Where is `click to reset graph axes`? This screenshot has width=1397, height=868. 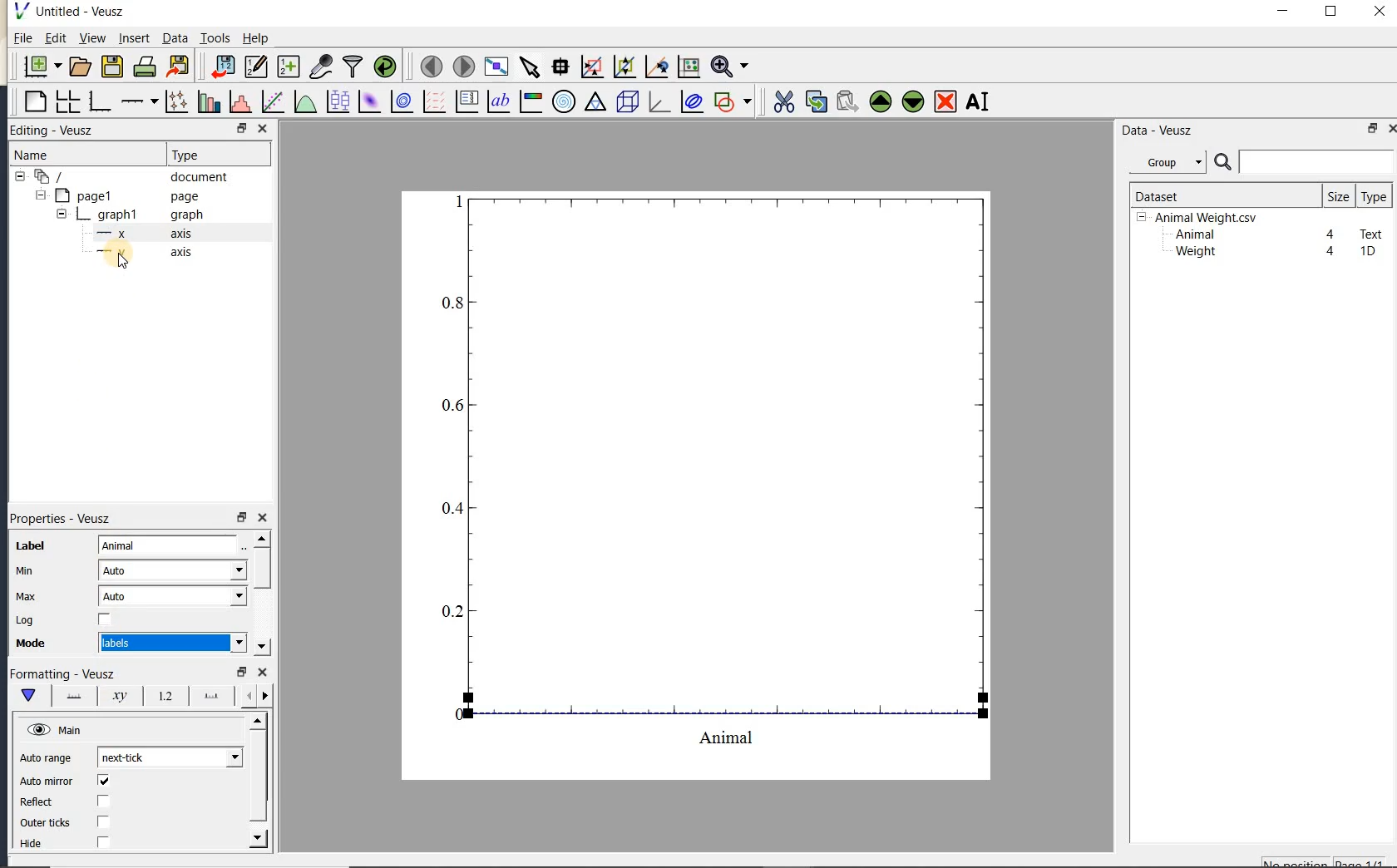
click to reset graph axes is located at coordinates (689, 67).